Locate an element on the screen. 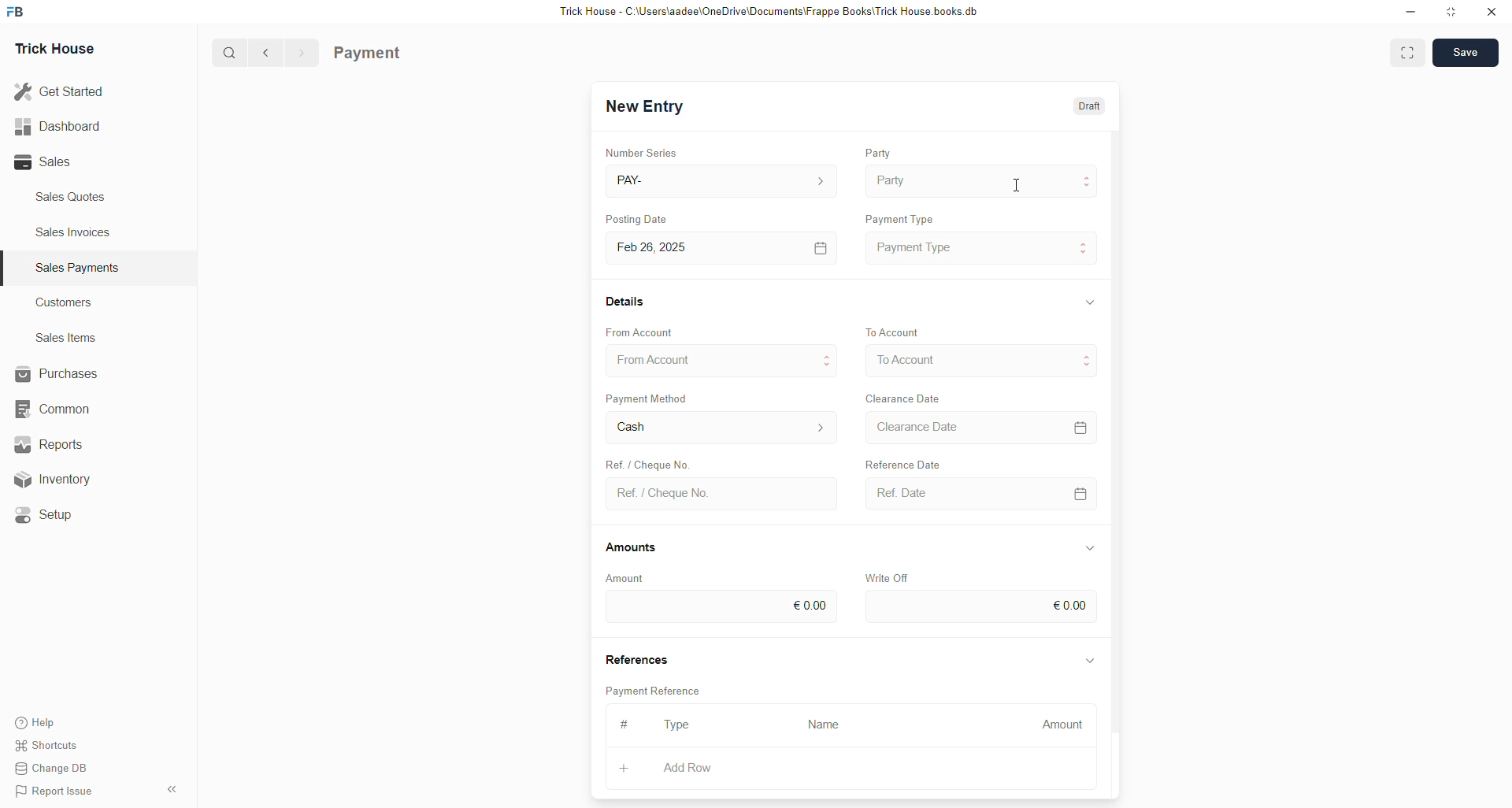 The width and height of the screenshot is (1512, 808). Sales Items is located at coordinates (67, 338).